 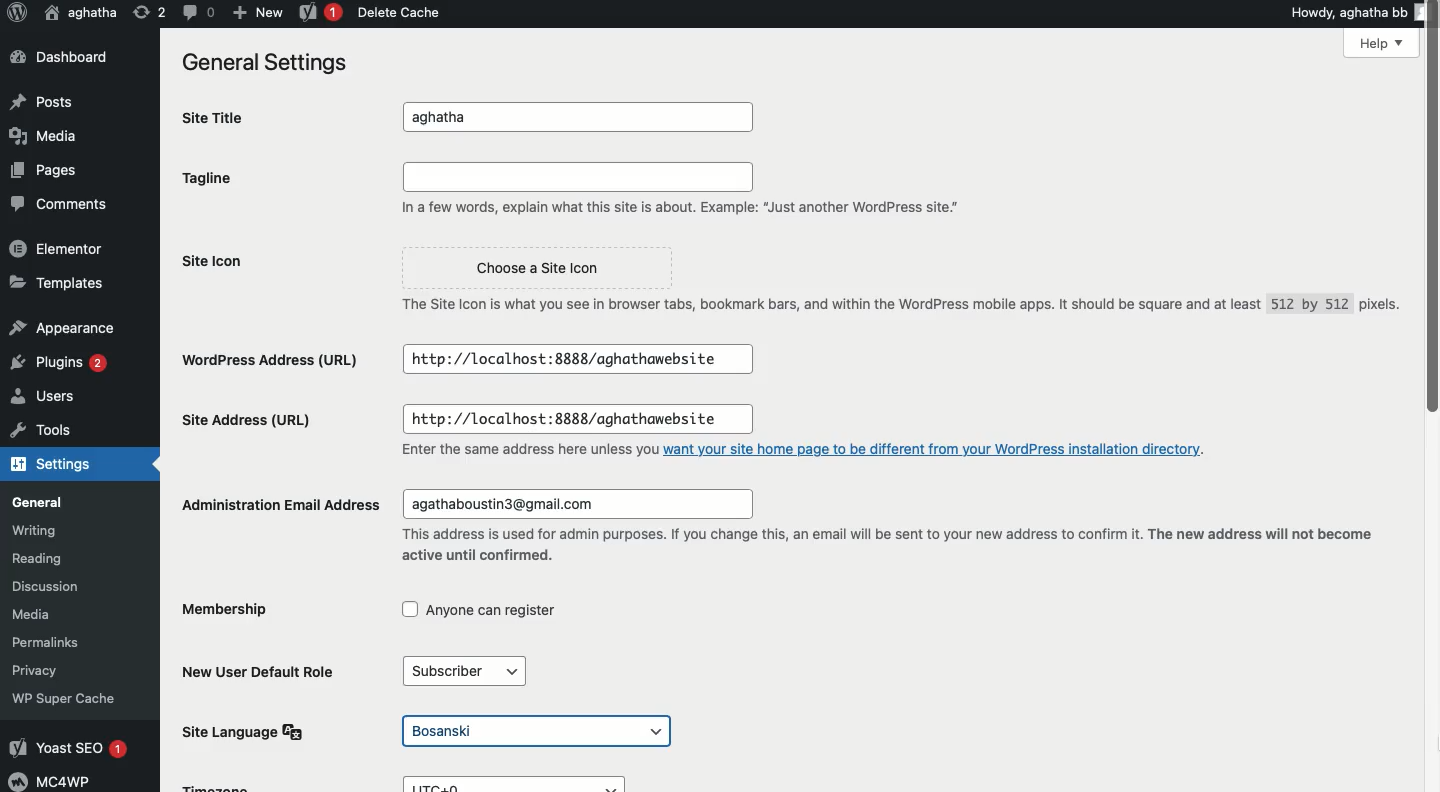 I want to click on Yoast SEO, so click(x=72, y=749).